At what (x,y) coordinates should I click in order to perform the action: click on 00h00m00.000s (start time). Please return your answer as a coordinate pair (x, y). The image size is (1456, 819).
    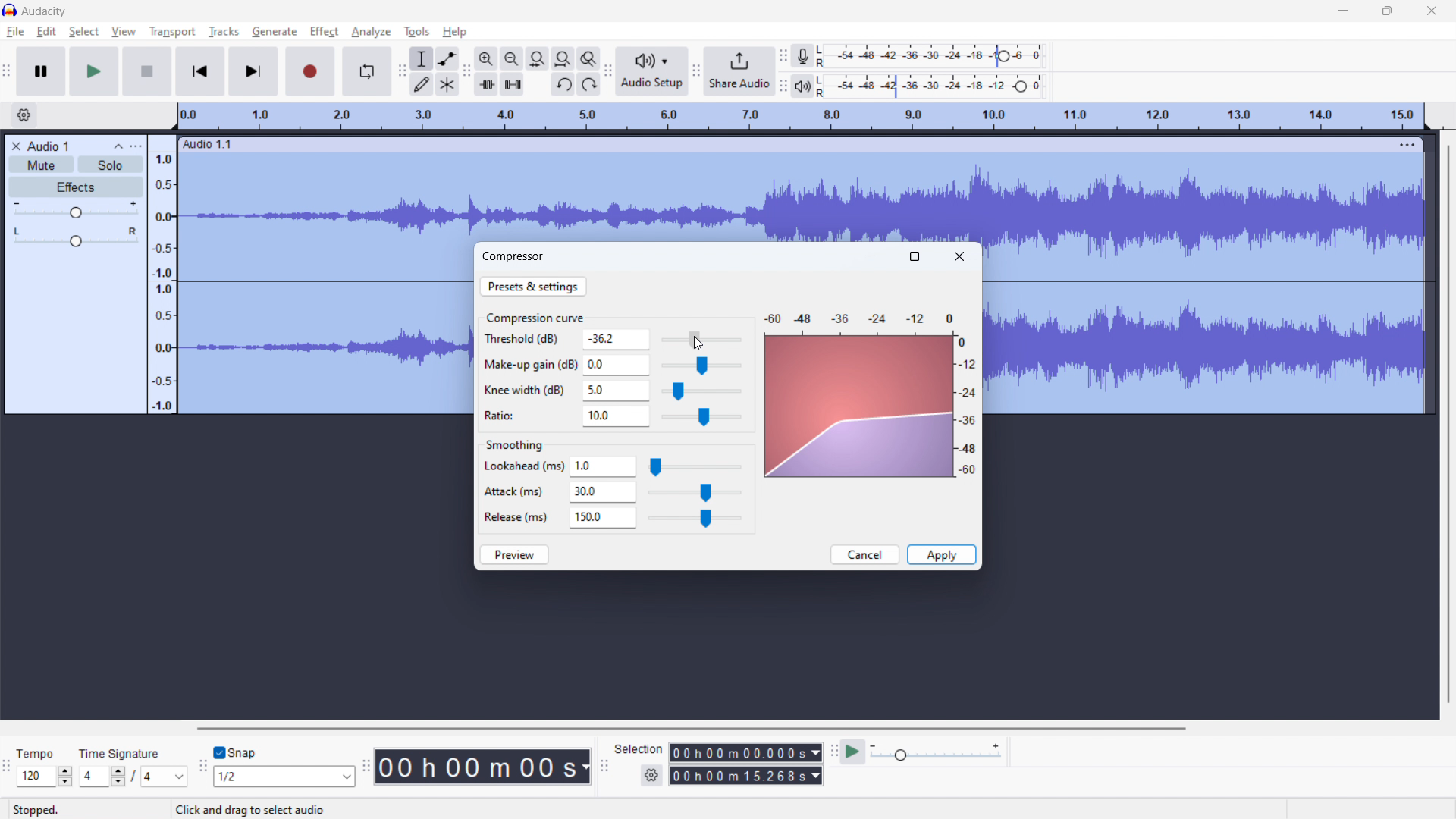
    Looking at the image, I should click on (745, 748).